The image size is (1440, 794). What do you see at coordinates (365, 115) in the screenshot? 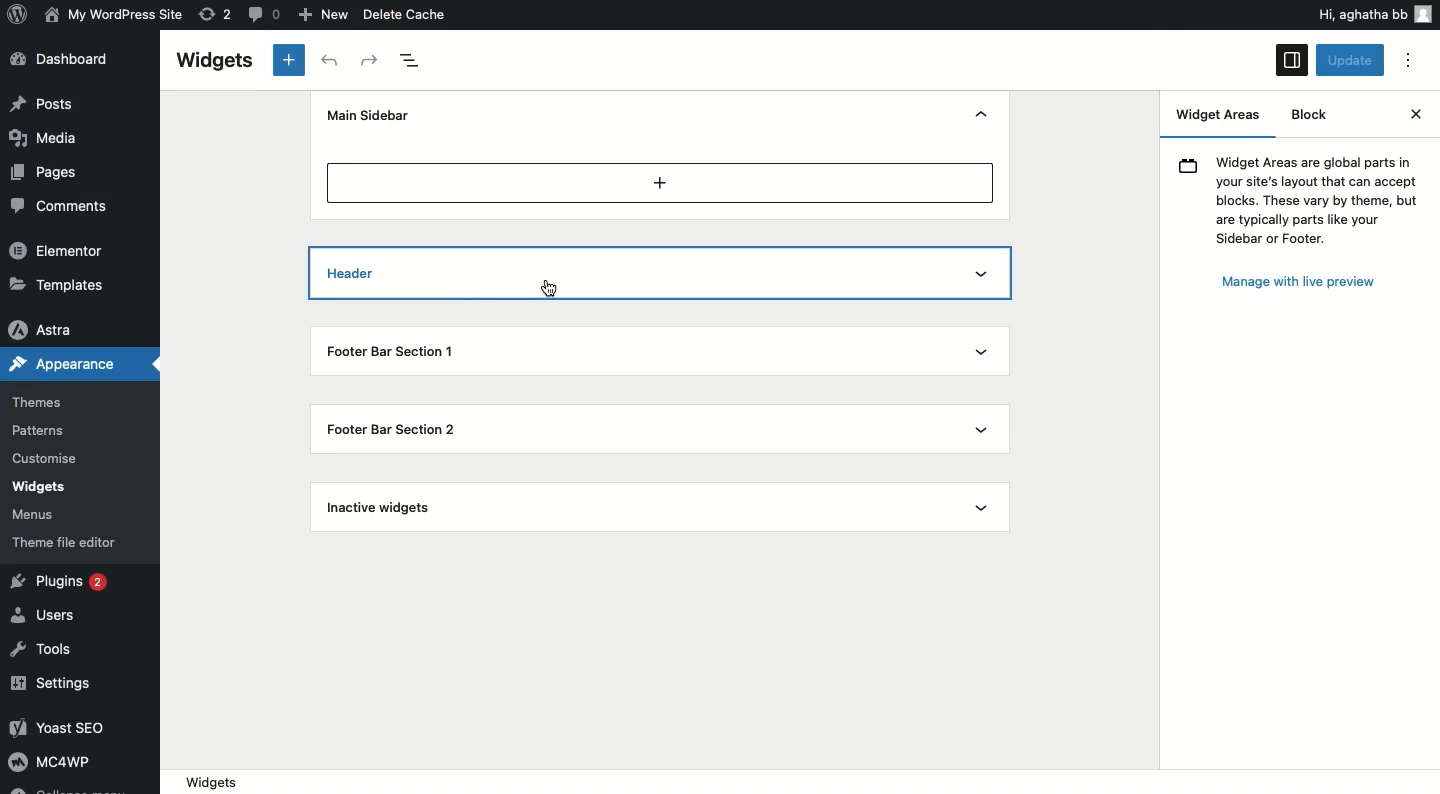
I see `Mine sidebar` at bounding box center [365, 115].